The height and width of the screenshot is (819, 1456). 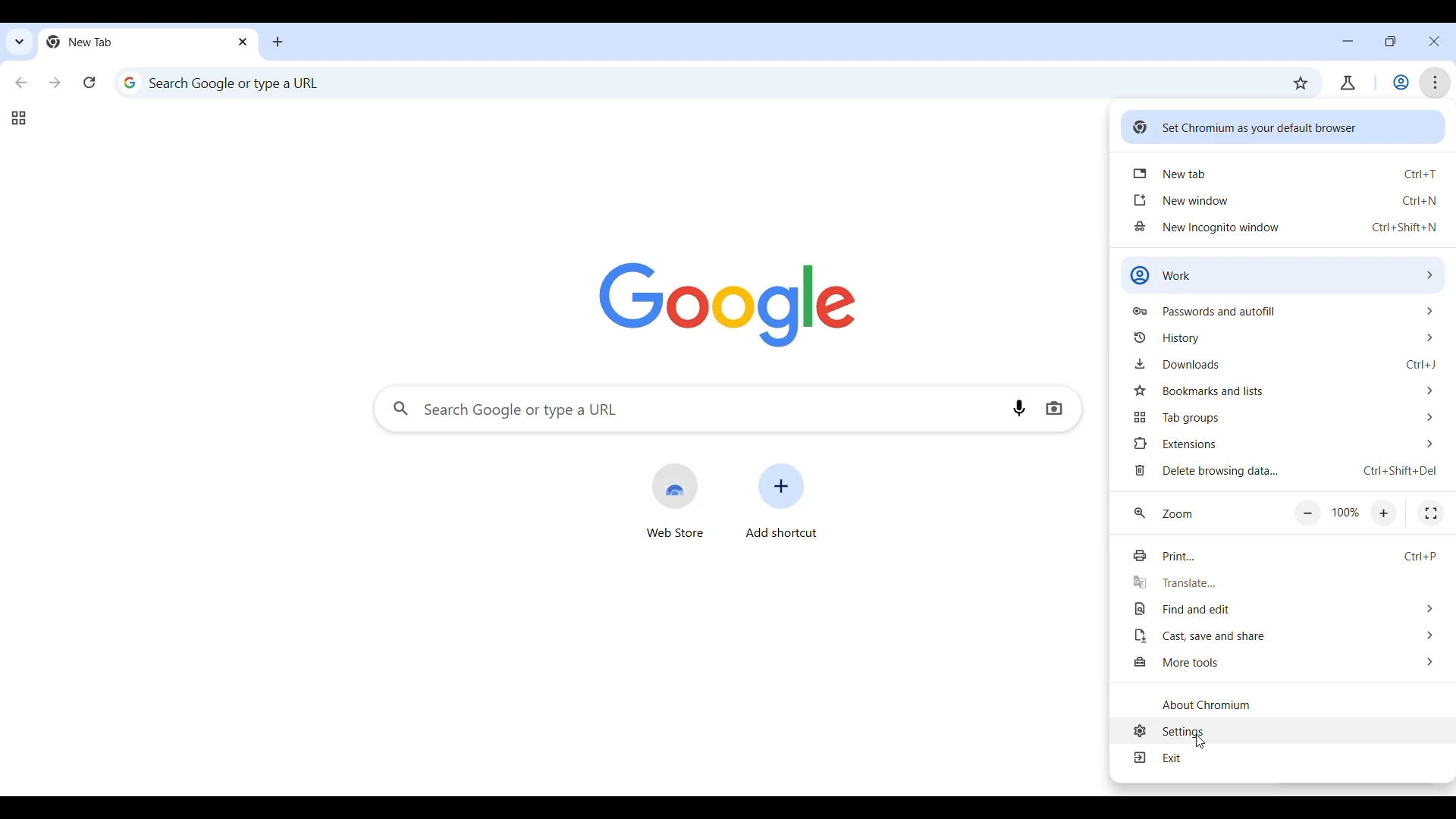 I want to click on zoom, so click(x=1176, y=513).